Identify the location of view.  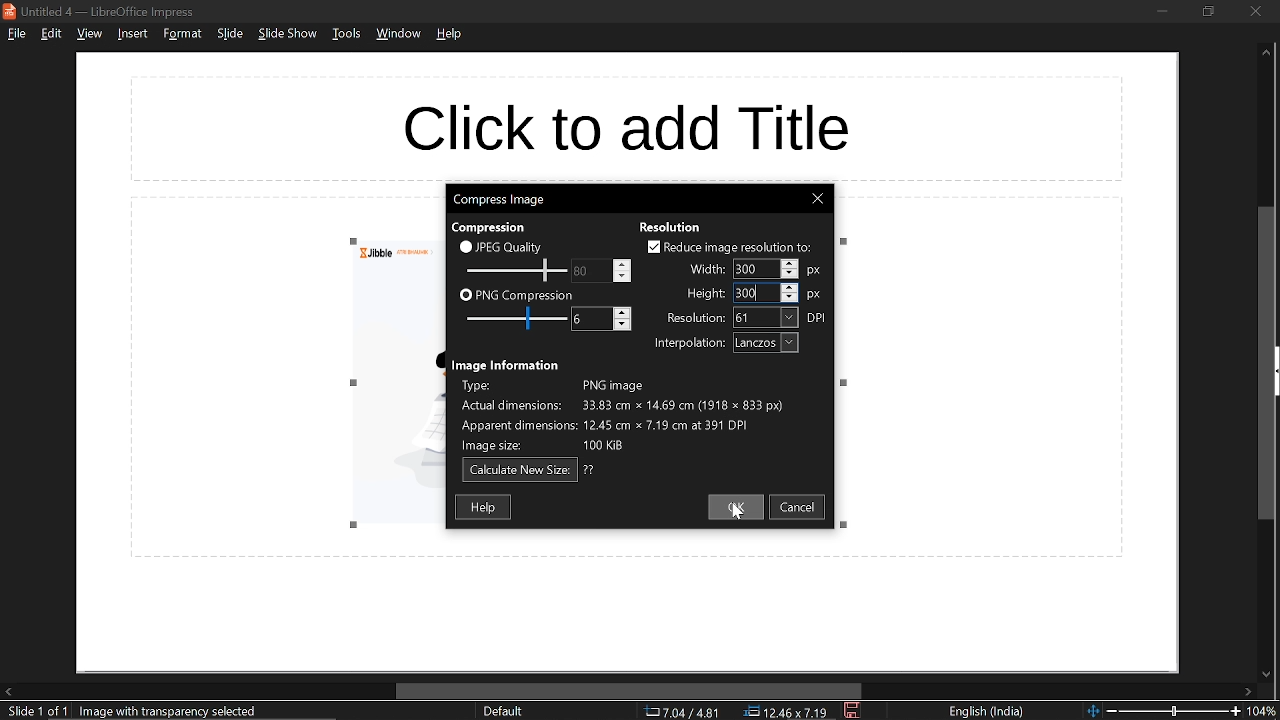
(88, 35).